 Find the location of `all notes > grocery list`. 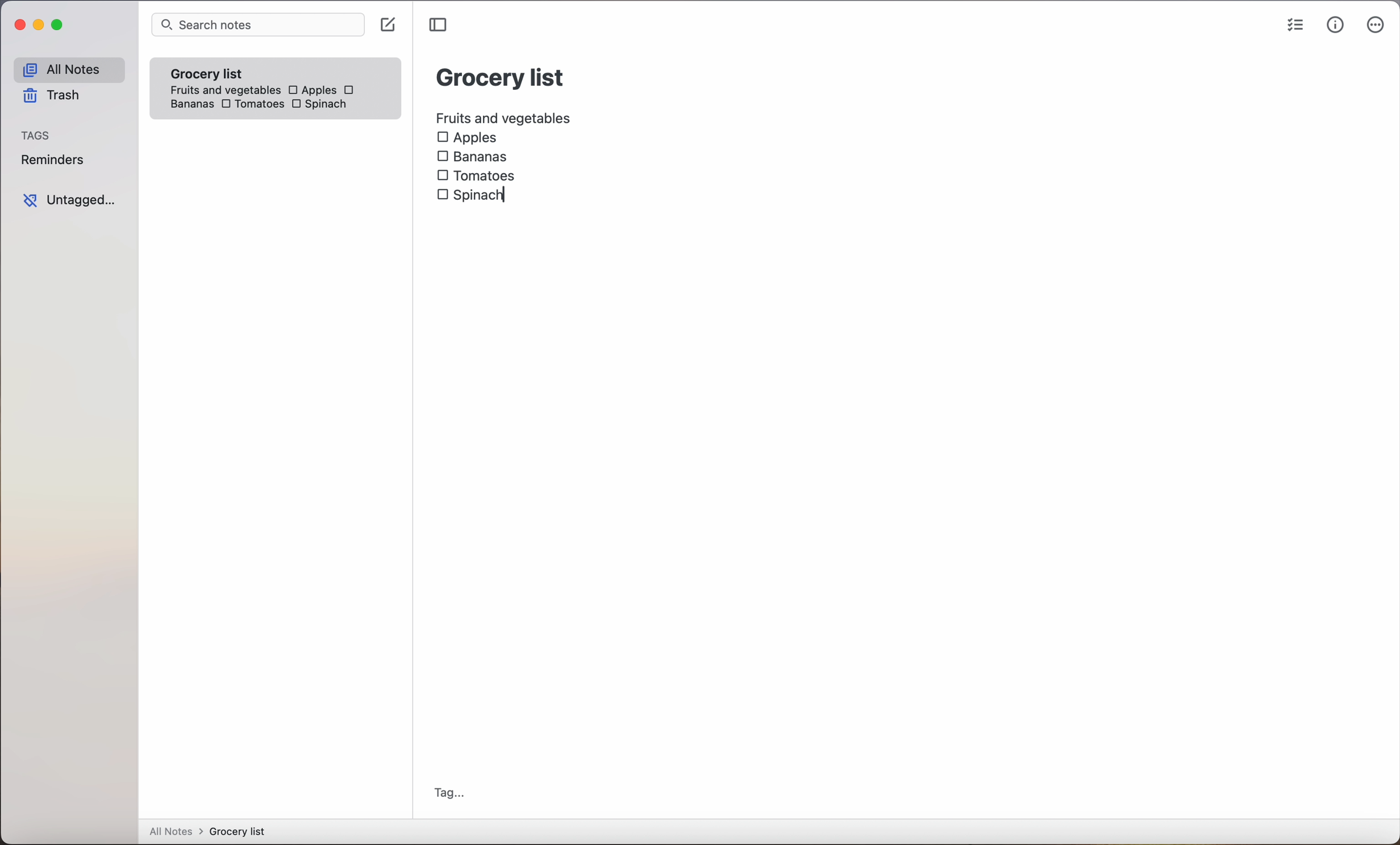

all notes > grocery list is located at coordinates (212, 833).